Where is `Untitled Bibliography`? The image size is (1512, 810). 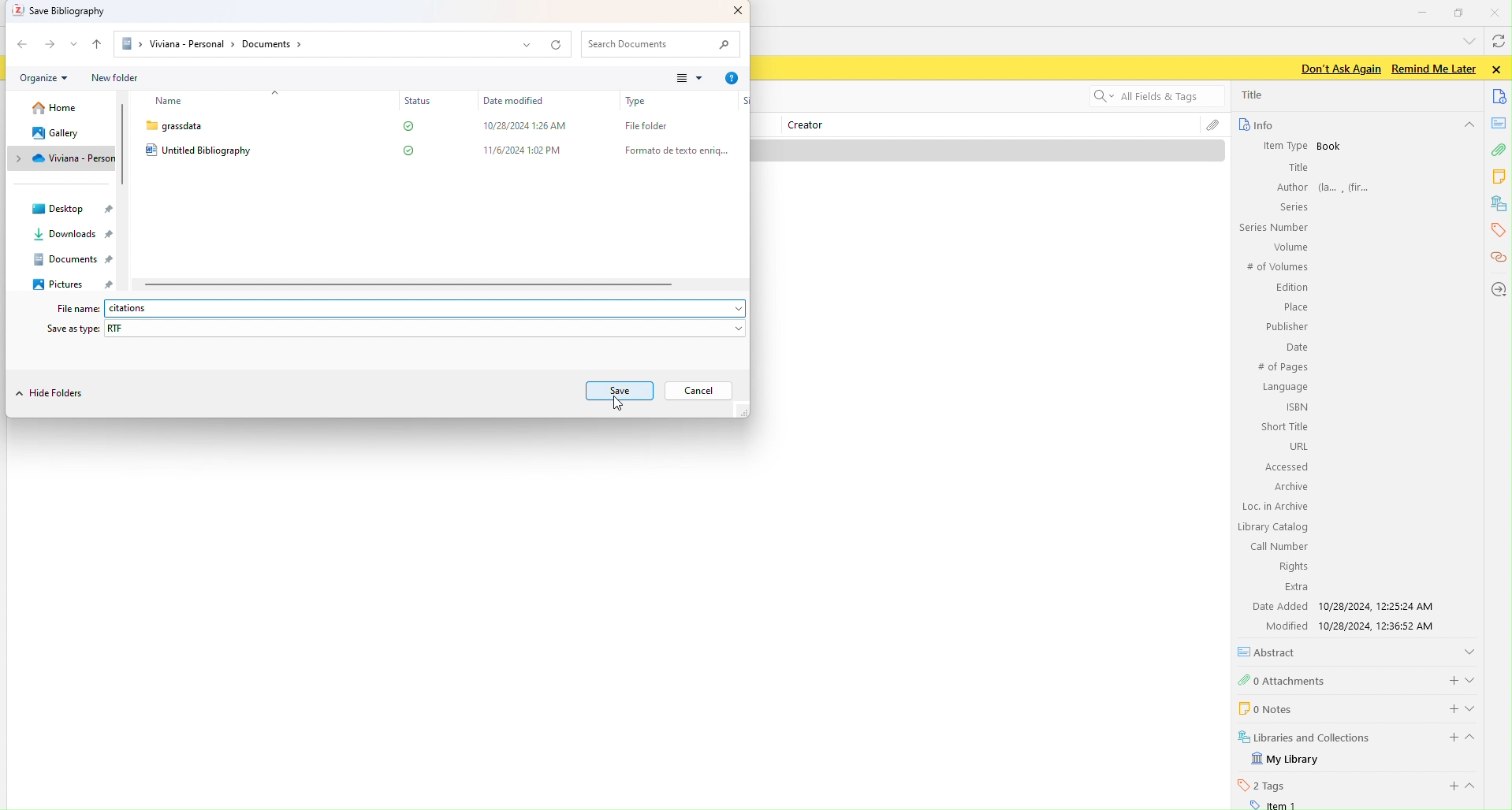
Untitled Bibliography is located at coordinates (201, 150).